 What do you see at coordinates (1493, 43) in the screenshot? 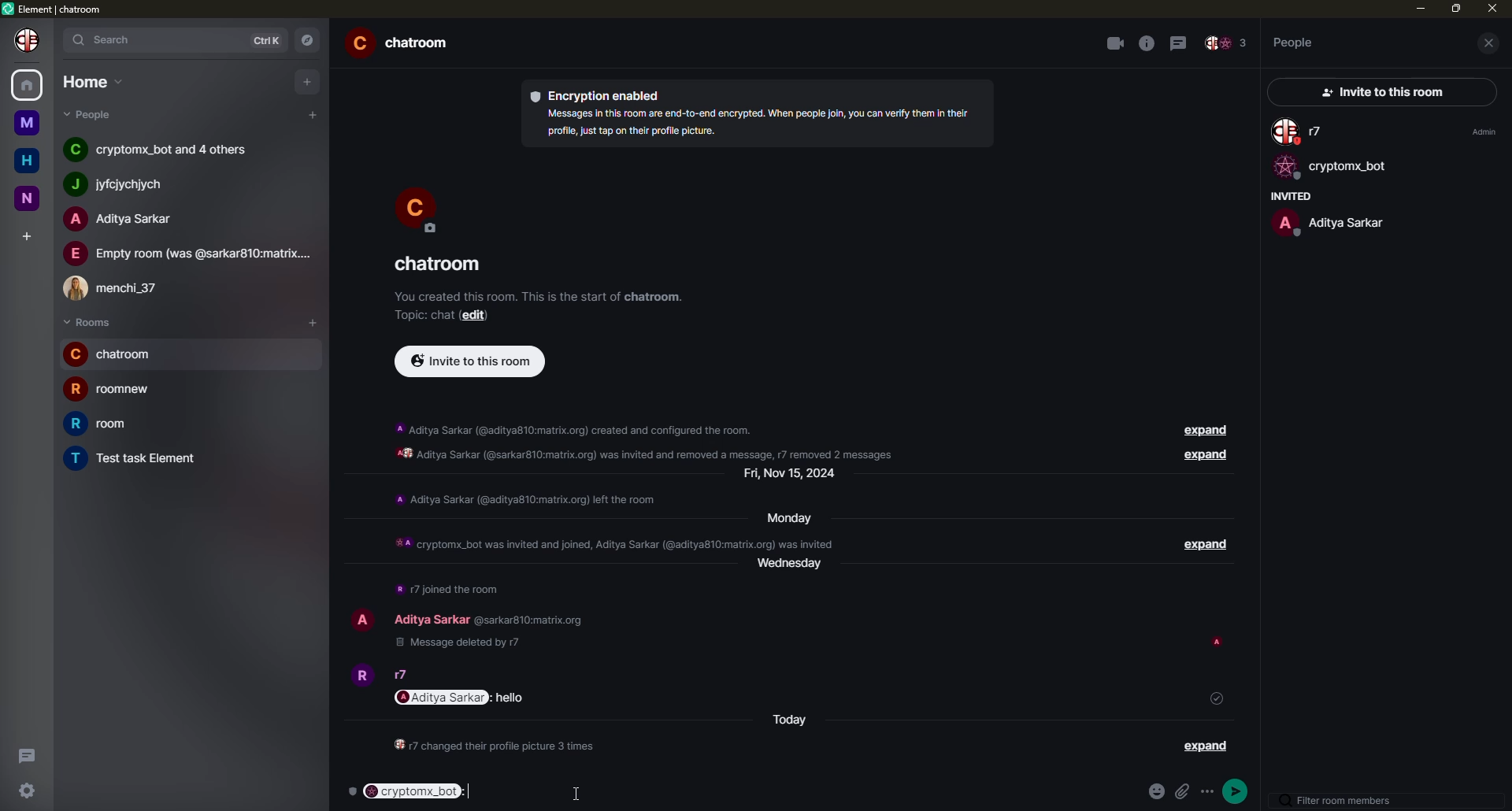
I see `close` at bounding box center [1493, 43].